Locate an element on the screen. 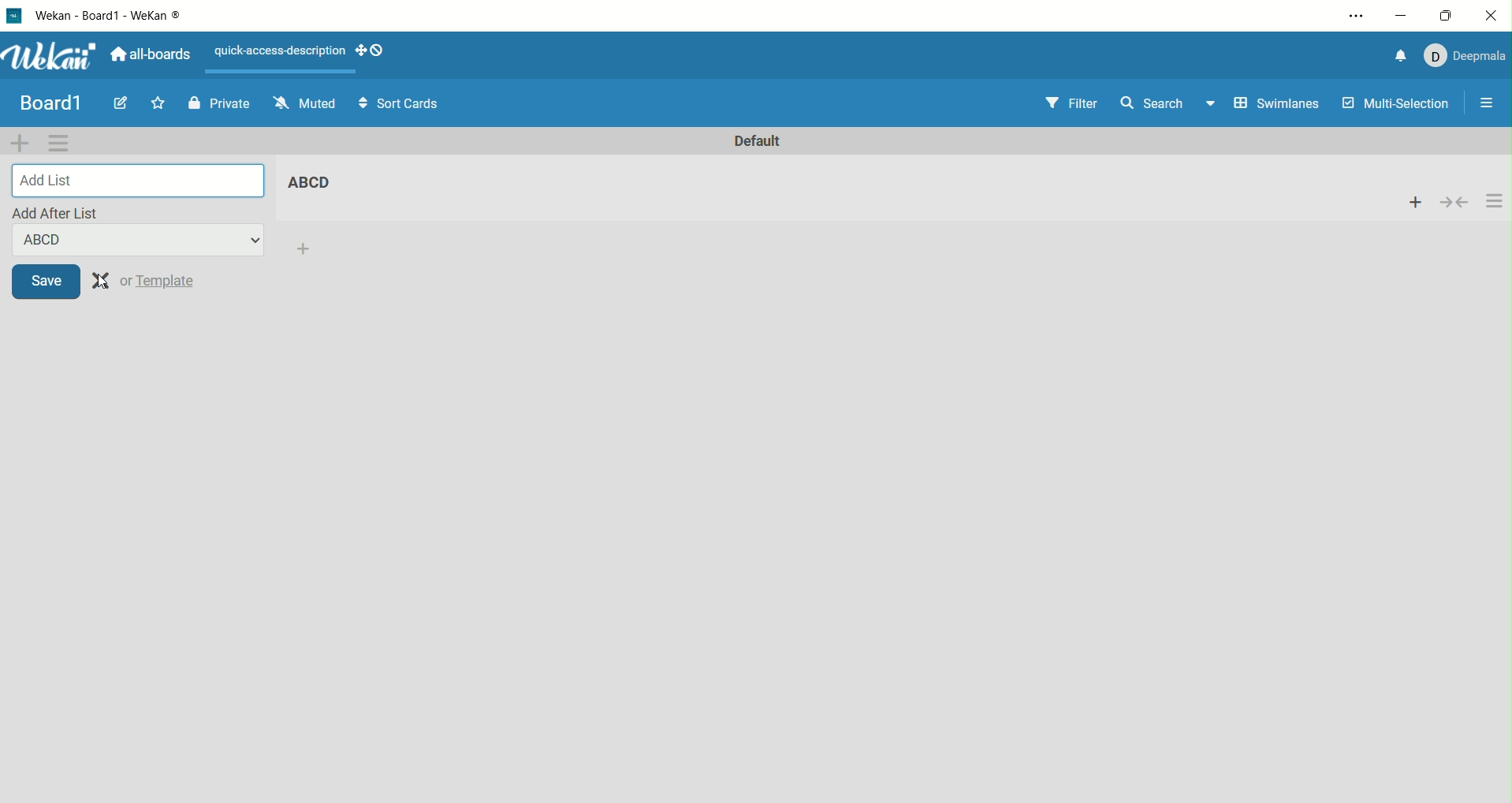 This screenshot has width=1512, height=803. show-desktop-drag-handles is located at coordinates (360, 51).